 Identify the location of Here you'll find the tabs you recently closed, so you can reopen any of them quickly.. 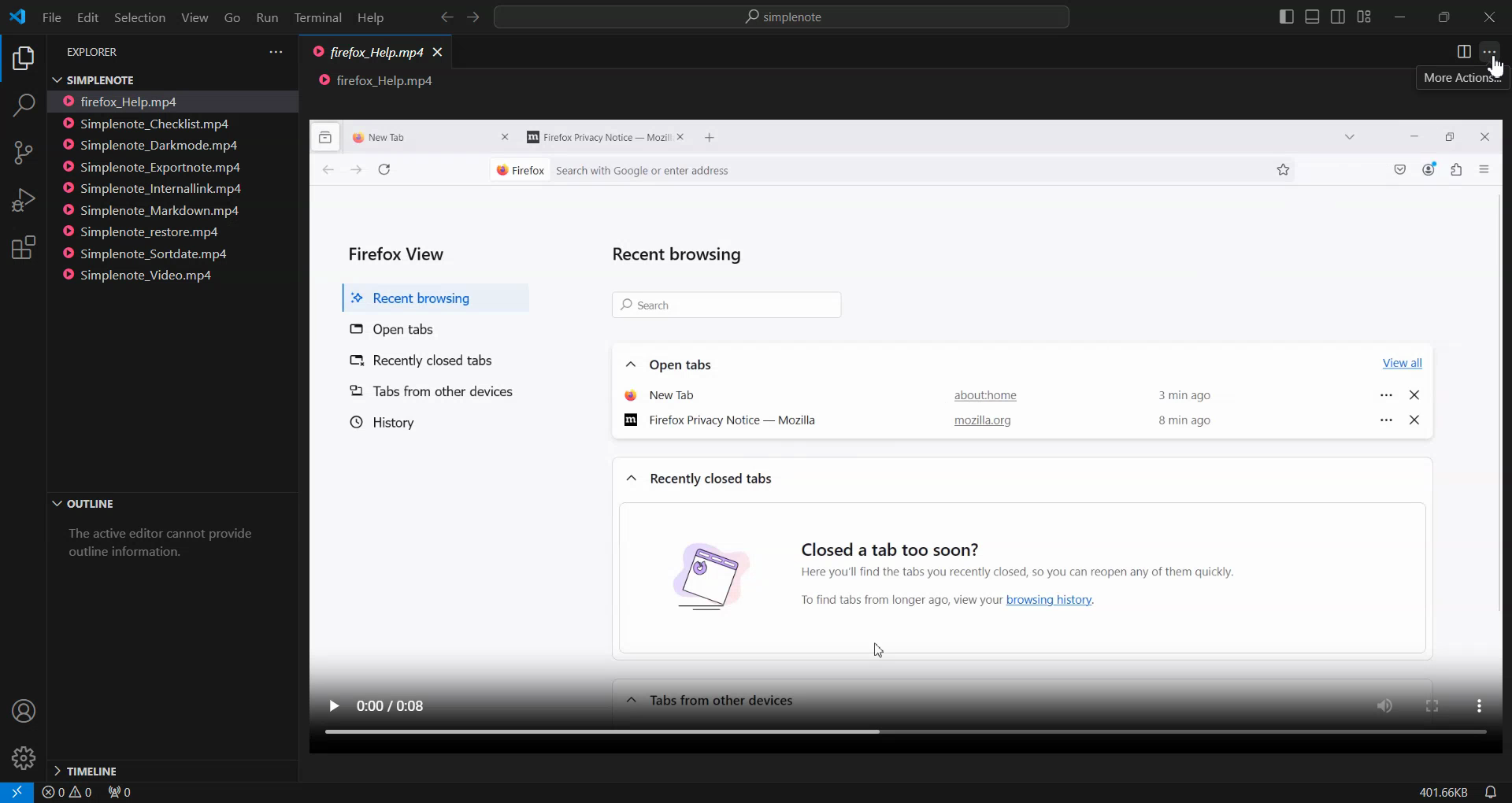
(1086, 570).